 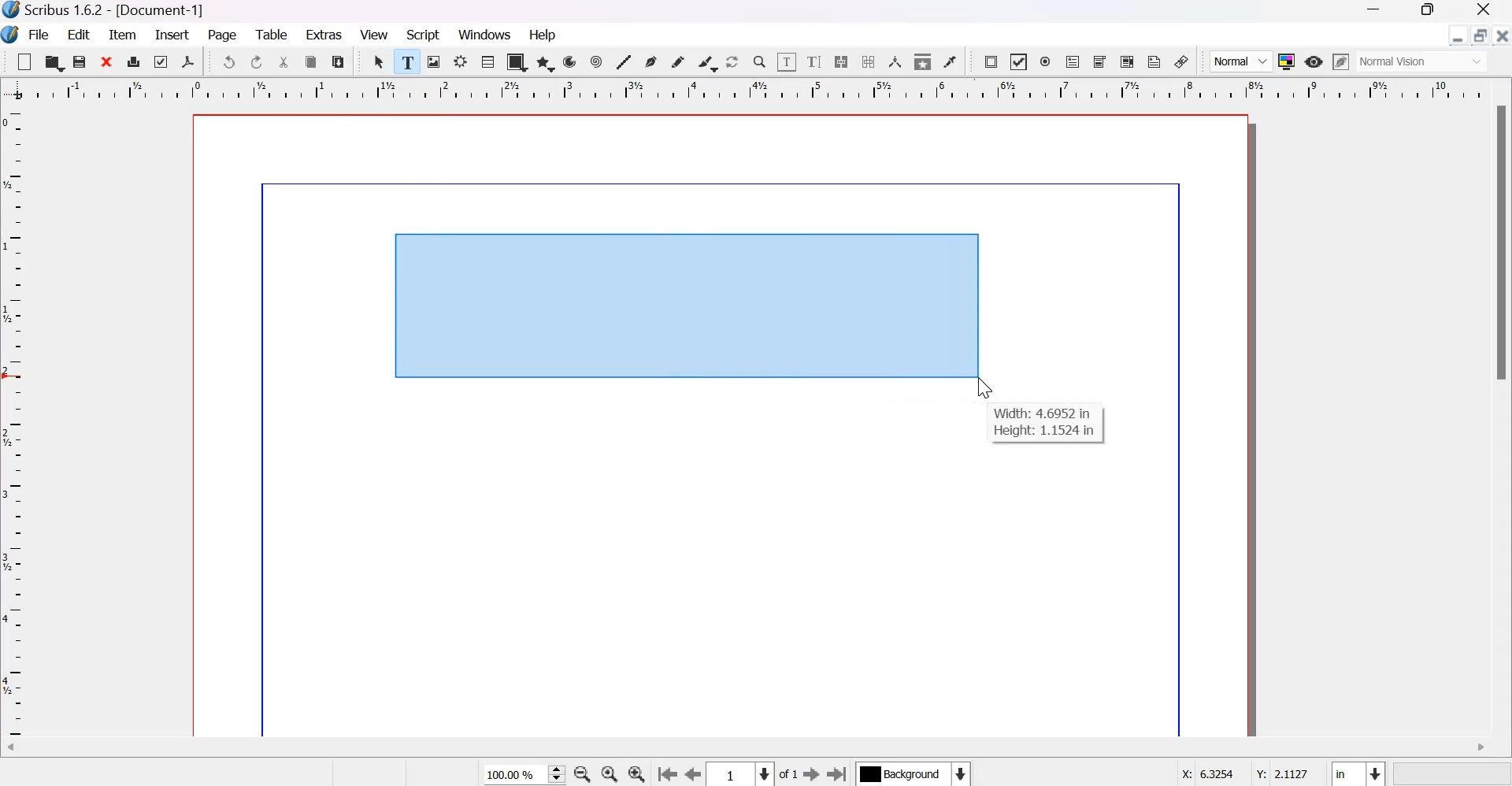 What do you see at coordinates (285, 62) in the screenshot?
I see `cut` at bounding box center [285, 62].